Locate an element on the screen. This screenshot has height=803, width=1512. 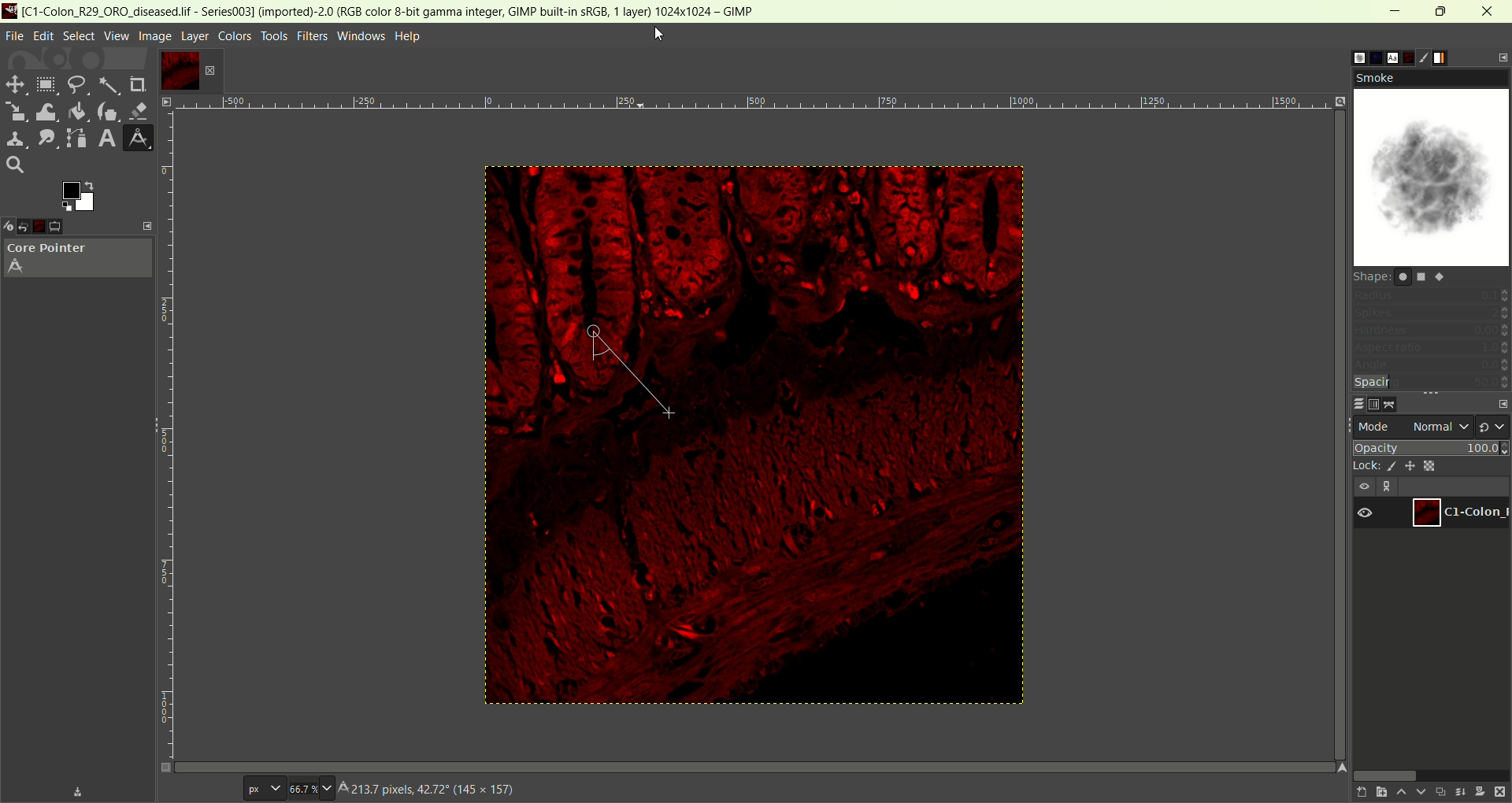
save is located at coordinates (78, 792).